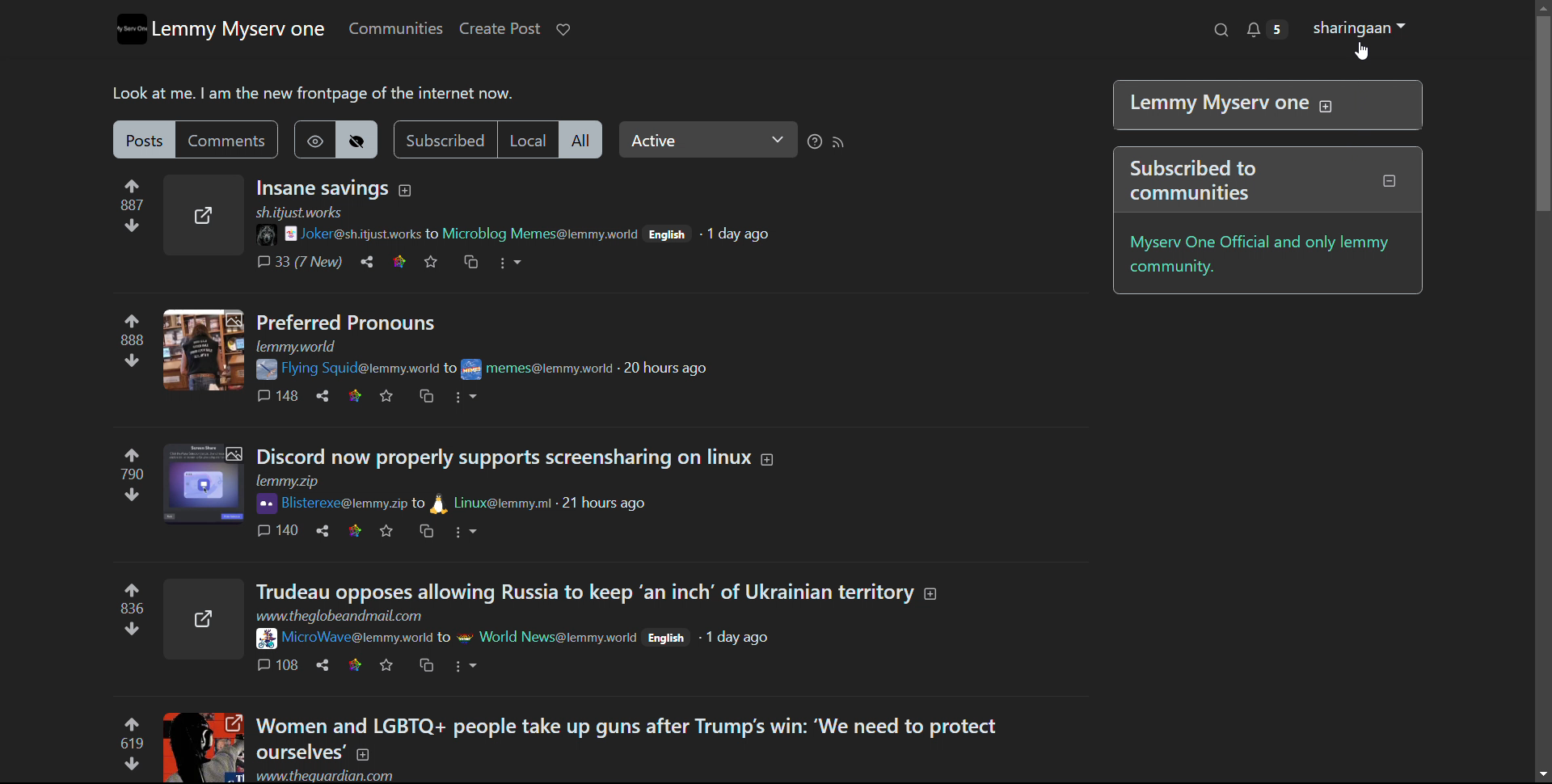  What do you see at coordinates (320, 188) in the screenshot?
I see `title` at bounding box center [320, 188].